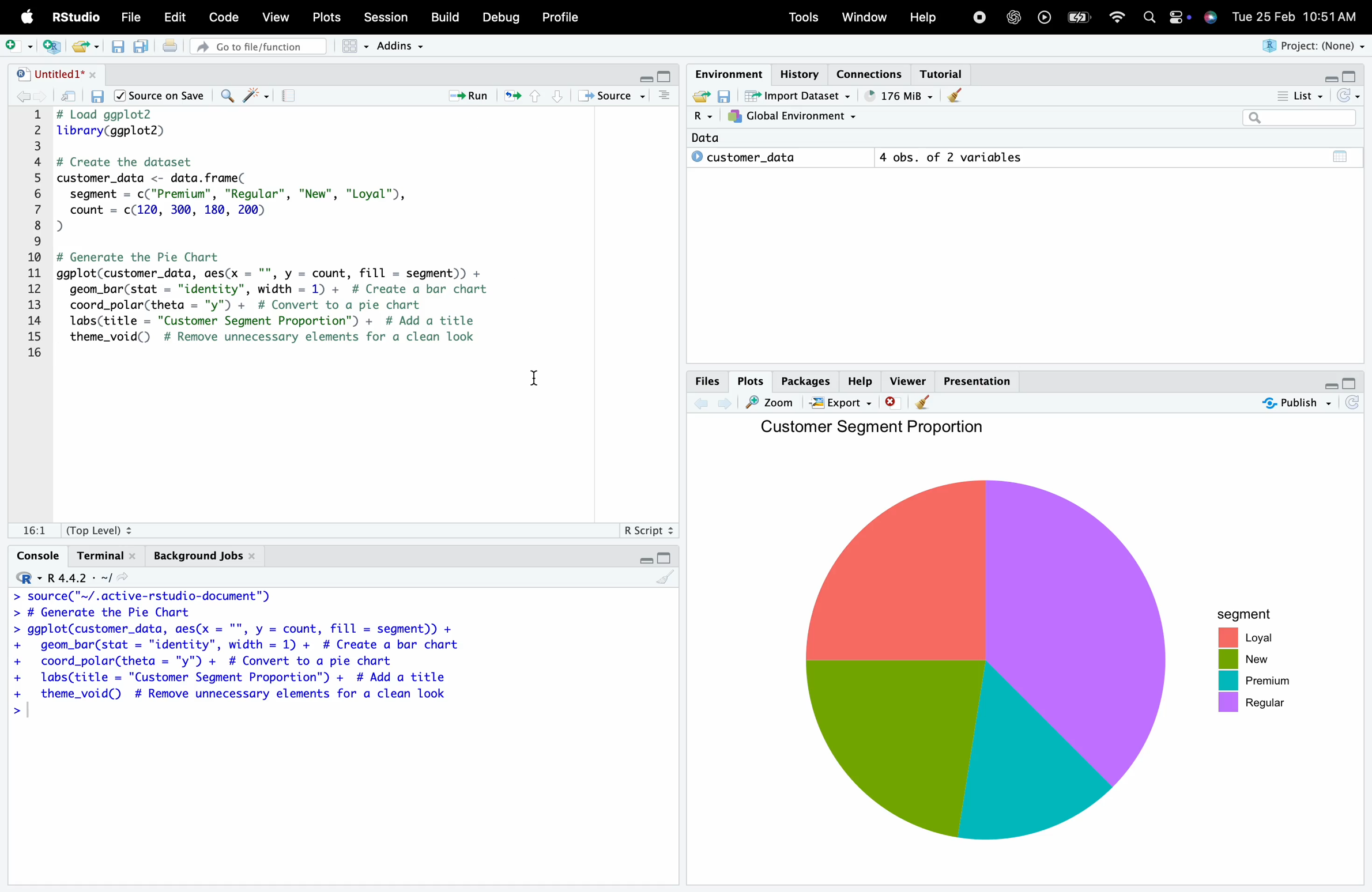 The height and width of the screenshot is (892, 1372). Describe the element at coordinates (1121, 18) in the screenshot. I see `wifi` at that location.